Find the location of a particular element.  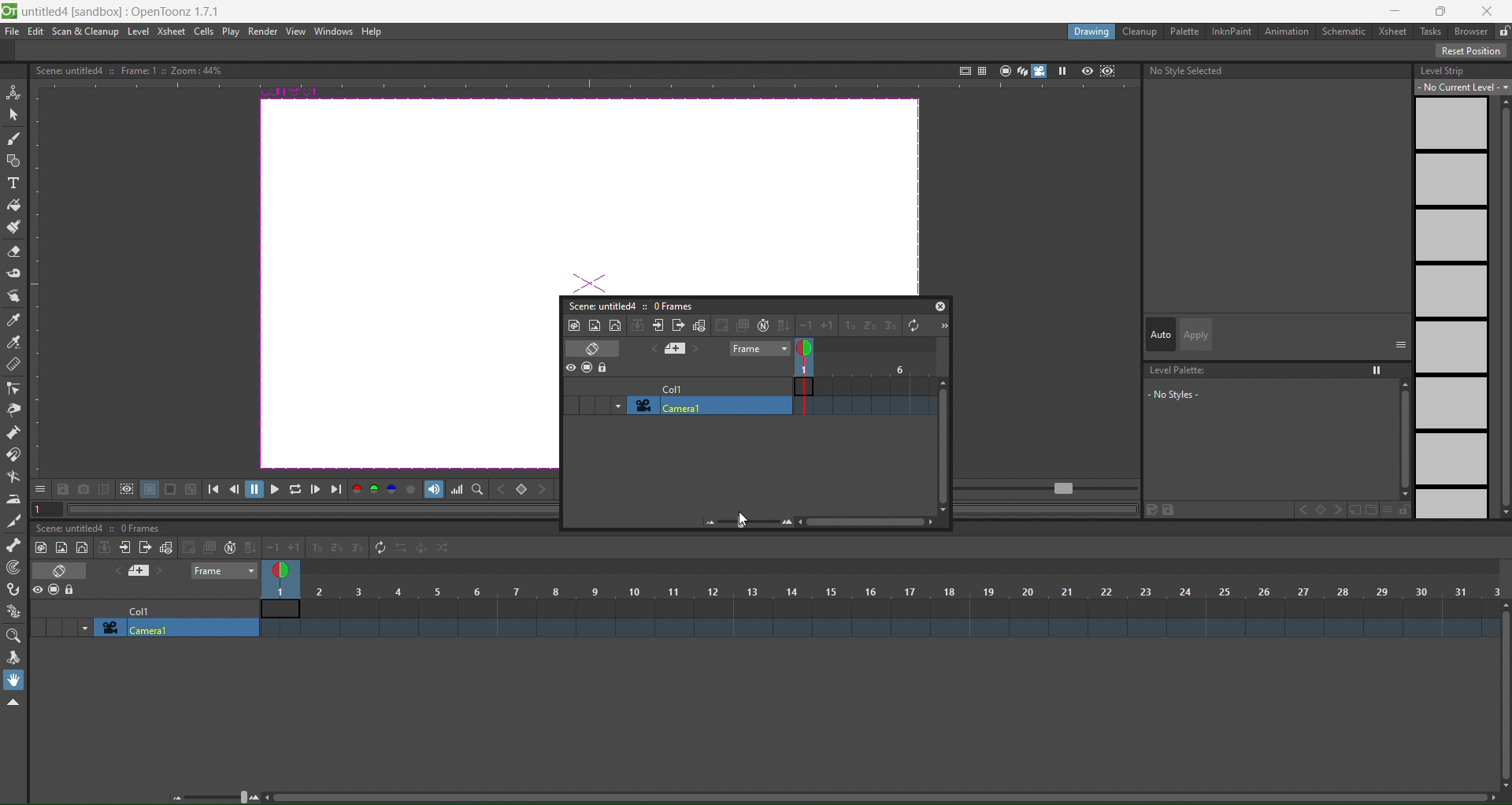

level palette is located at coordinates (1274, 395).